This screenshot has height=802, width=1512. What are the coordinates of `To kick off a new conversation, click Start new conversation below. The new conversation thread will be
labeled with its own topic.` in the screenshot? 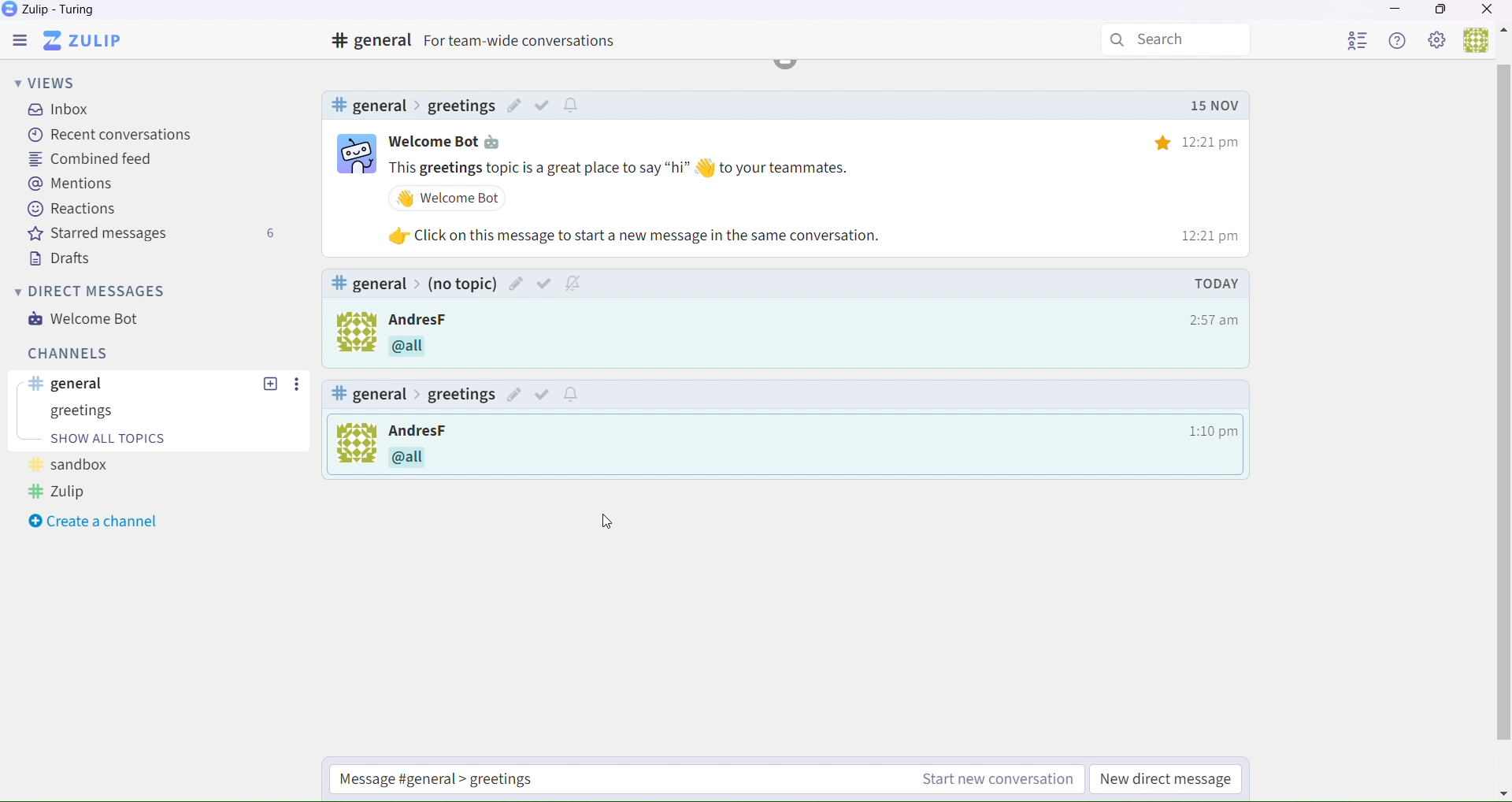 It's located at (353, 447).